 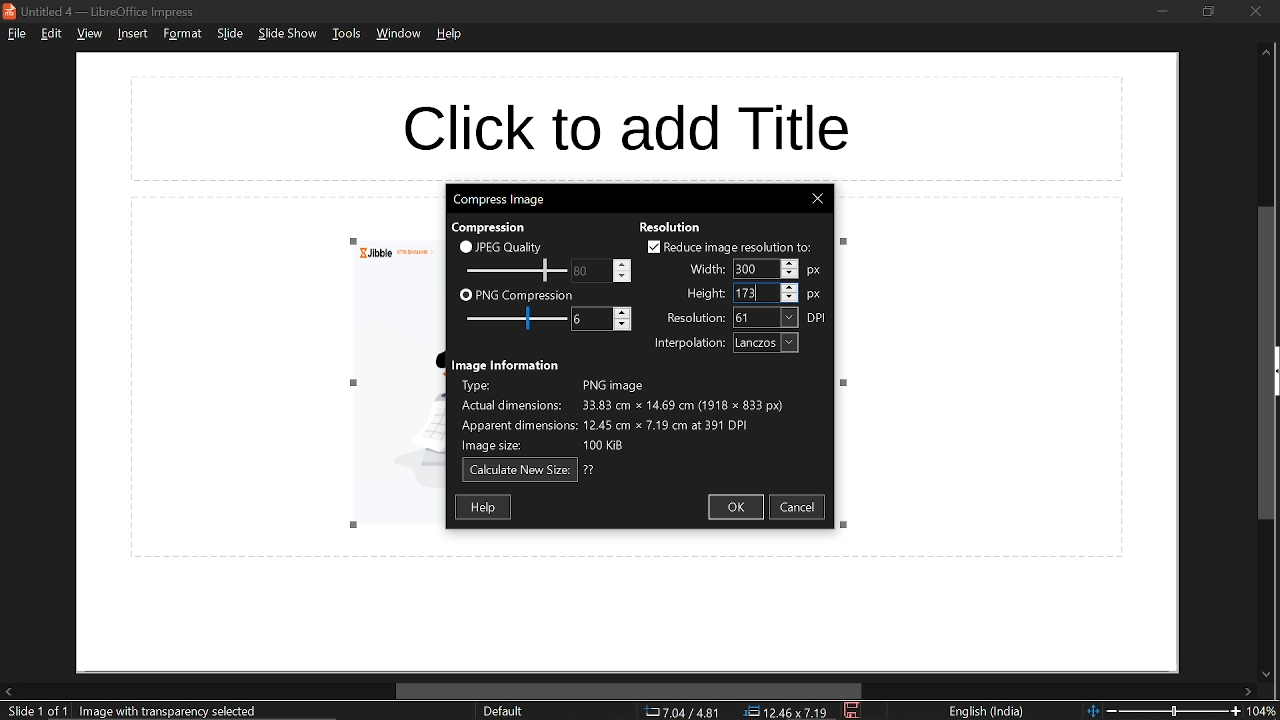 I want to click on close, so click(x=1257, y=11).